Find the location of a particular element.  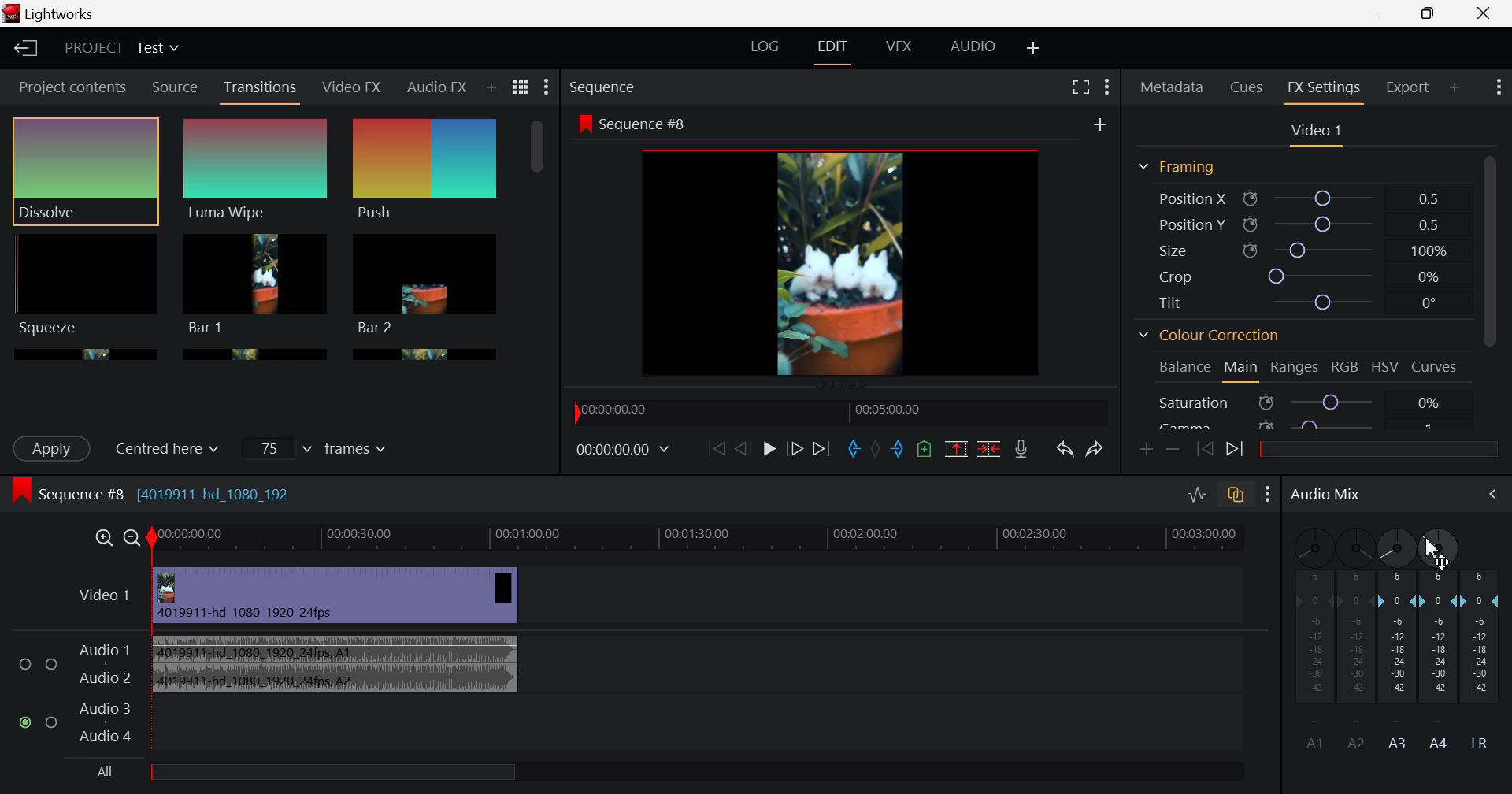

Frame Time is located at coordinates (622, 453).